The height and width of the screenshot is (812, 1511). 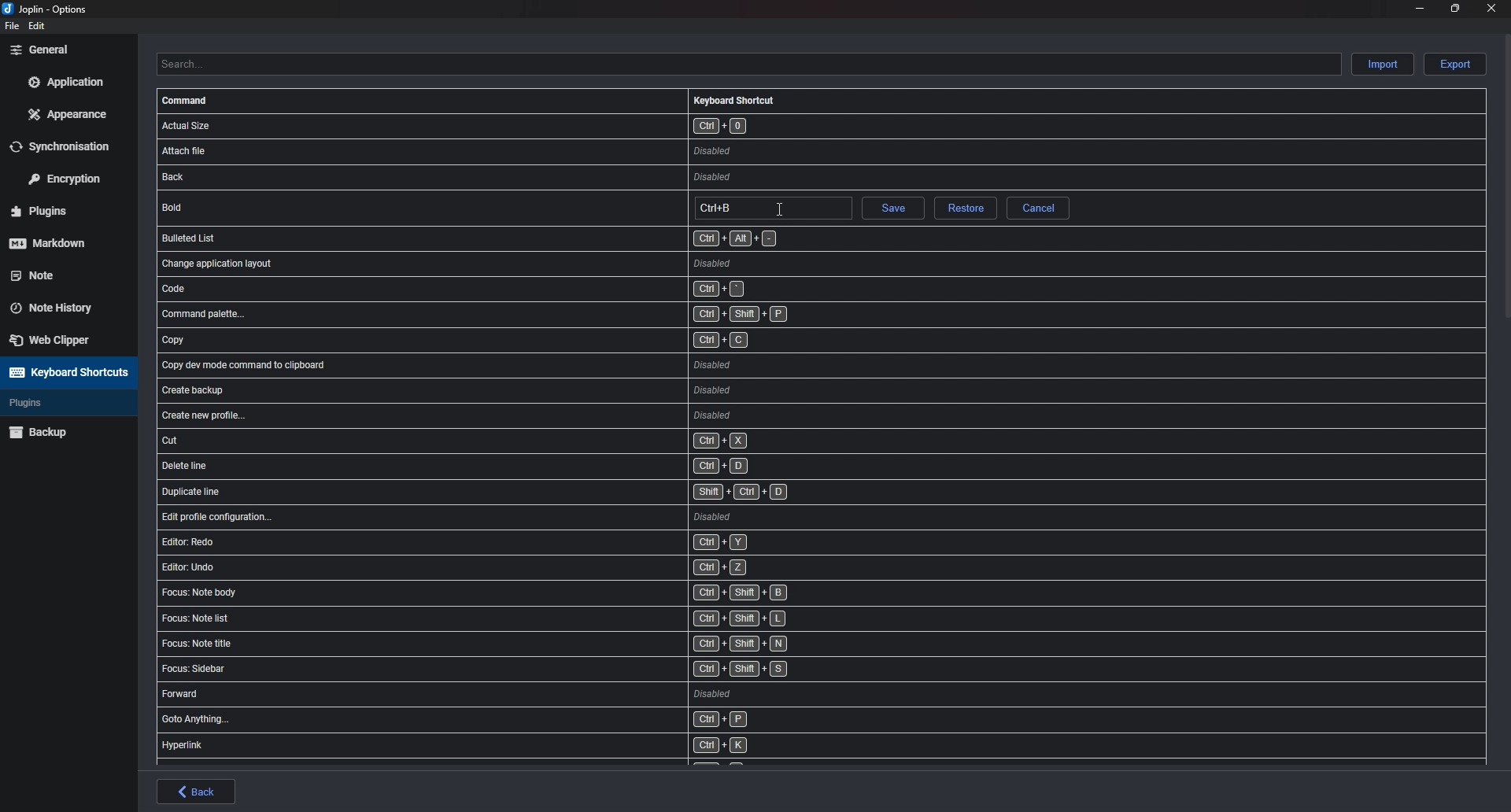 What do you see at coordinates (57, 403) in the screenshot?
I see `Plugins` at bounding box center [57, 403].